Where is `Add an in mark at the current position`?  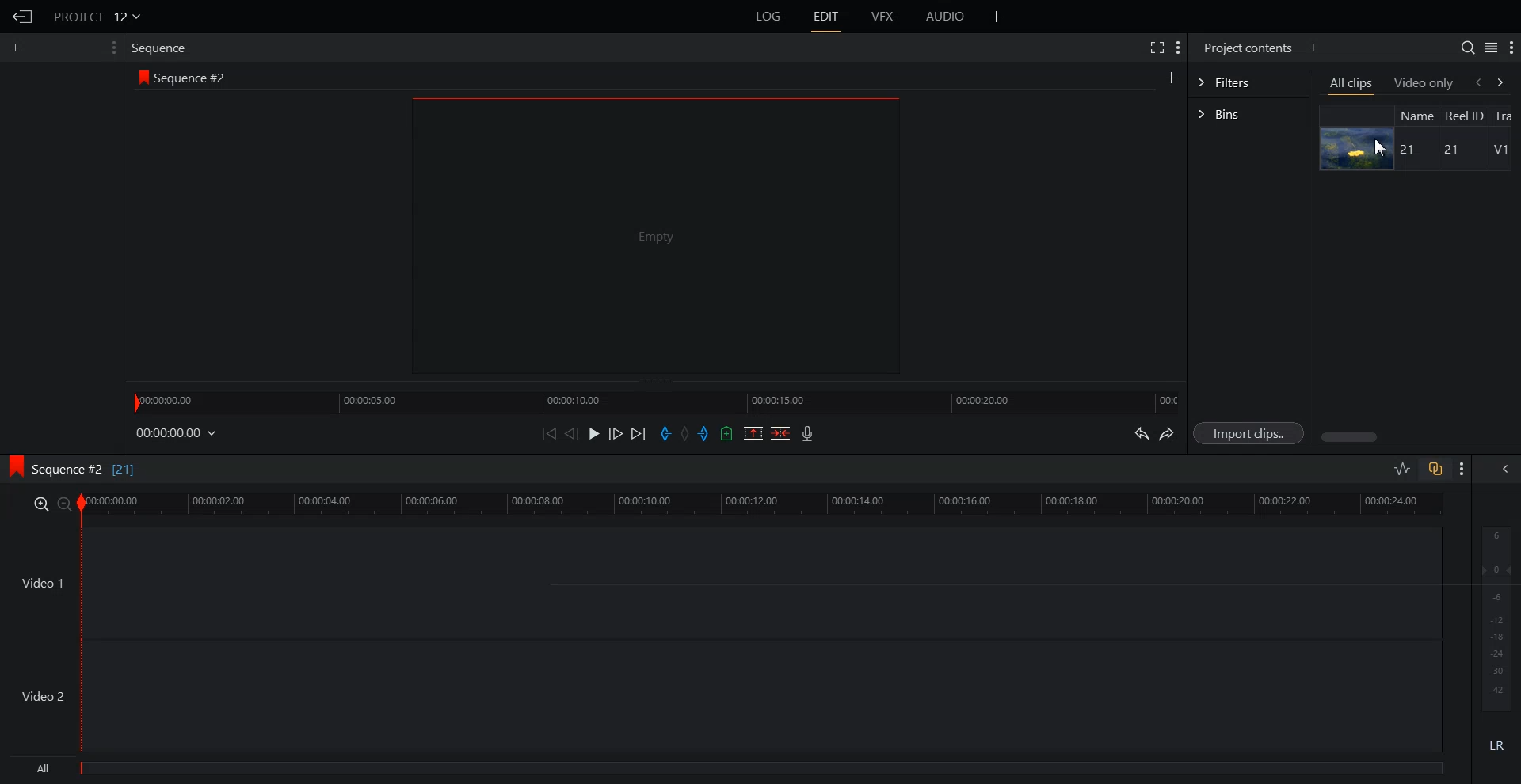
Add an in mark at the current position is located at coordinates (665, 433).